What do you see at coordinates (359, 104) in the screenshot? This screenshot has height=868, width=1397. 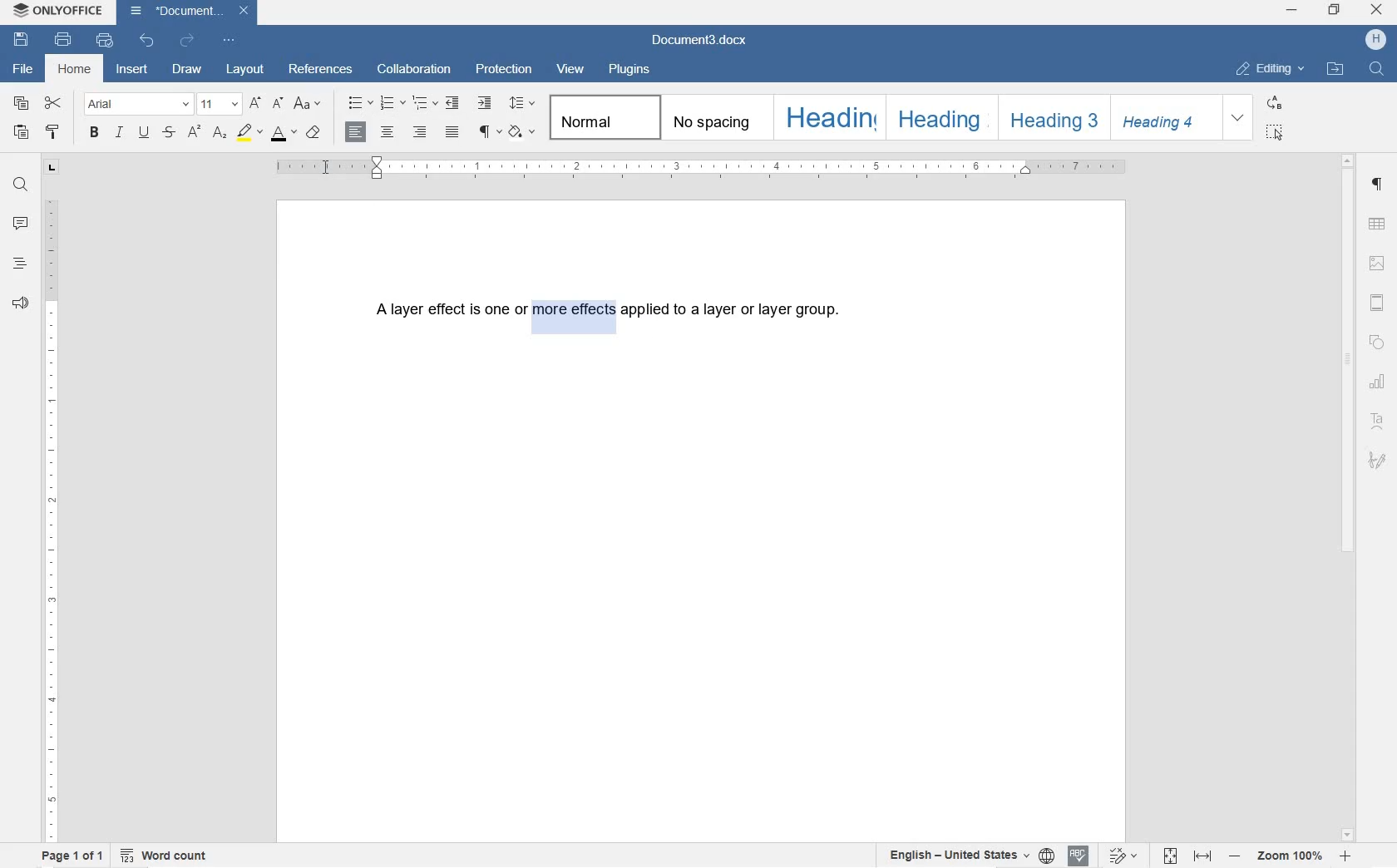 I see `BULLET` at bounding box center [359, 104].